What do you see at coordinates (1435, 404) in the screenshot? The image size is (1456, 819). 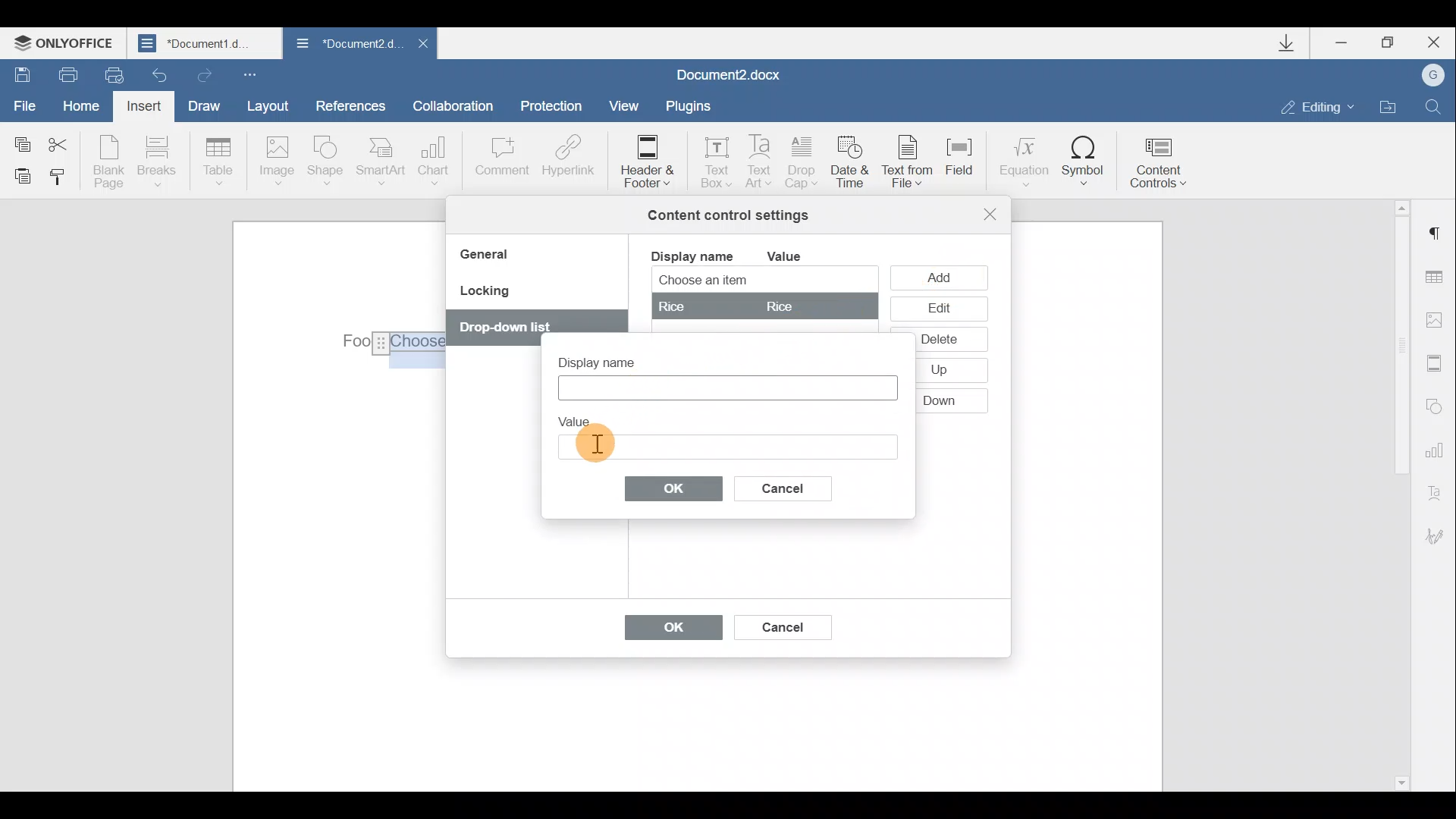 I see `Shapes settings` at bounding box center [1435, 404].